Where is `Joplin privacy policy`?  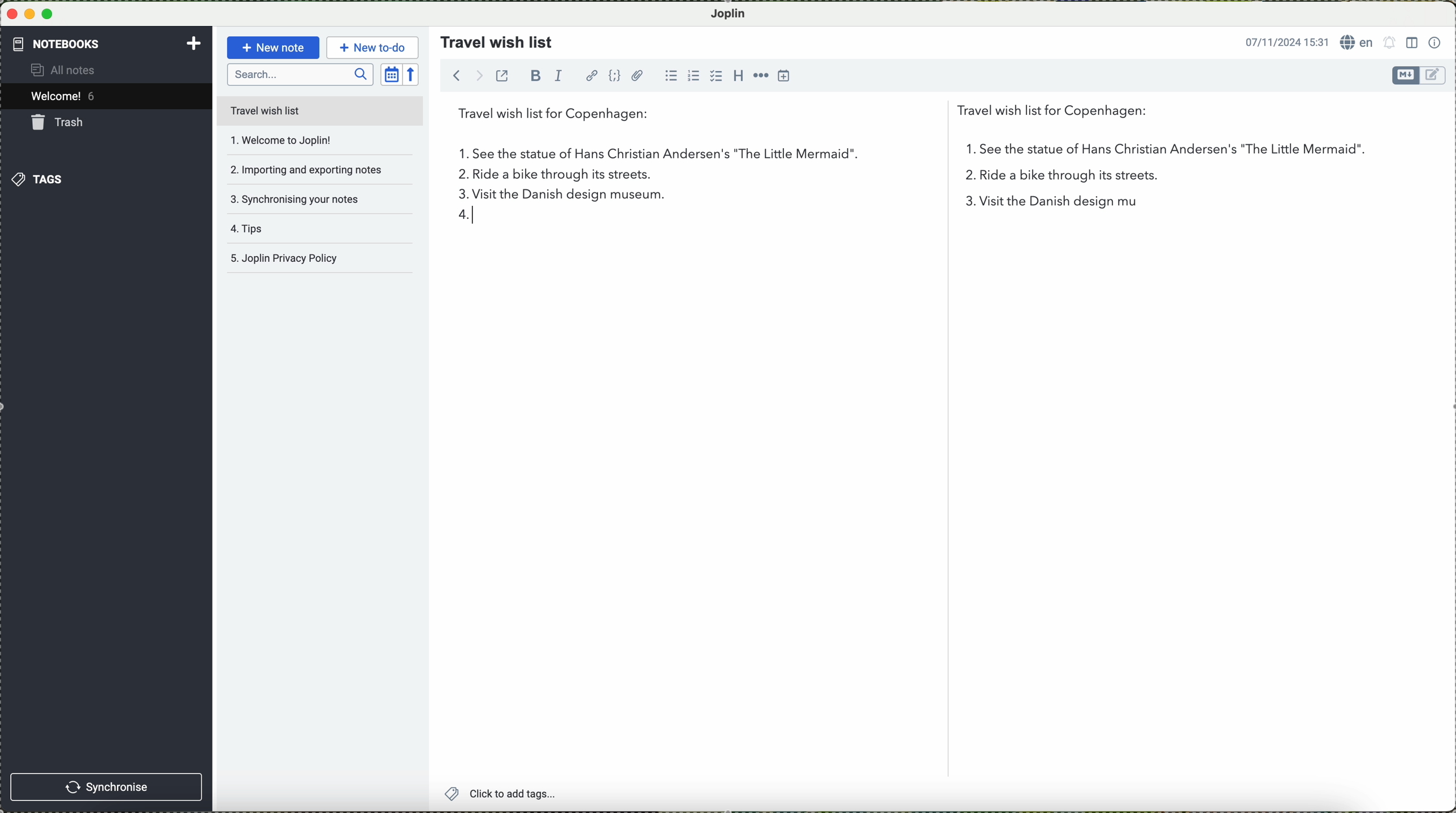 Joplin privacy policy is located at coordinates (317, 261).